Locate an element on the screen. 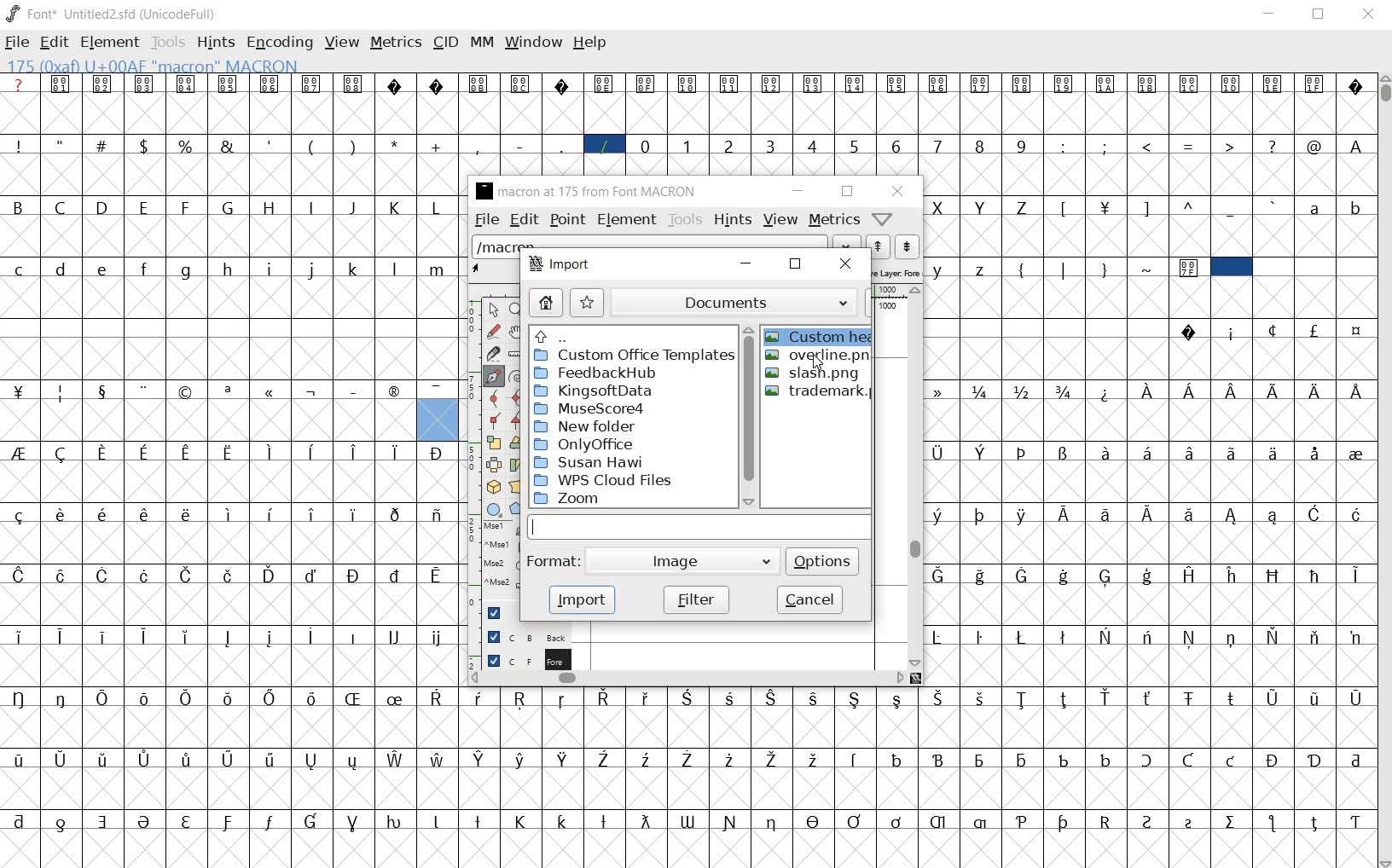  Symbol is located at coordinates (816, 697).